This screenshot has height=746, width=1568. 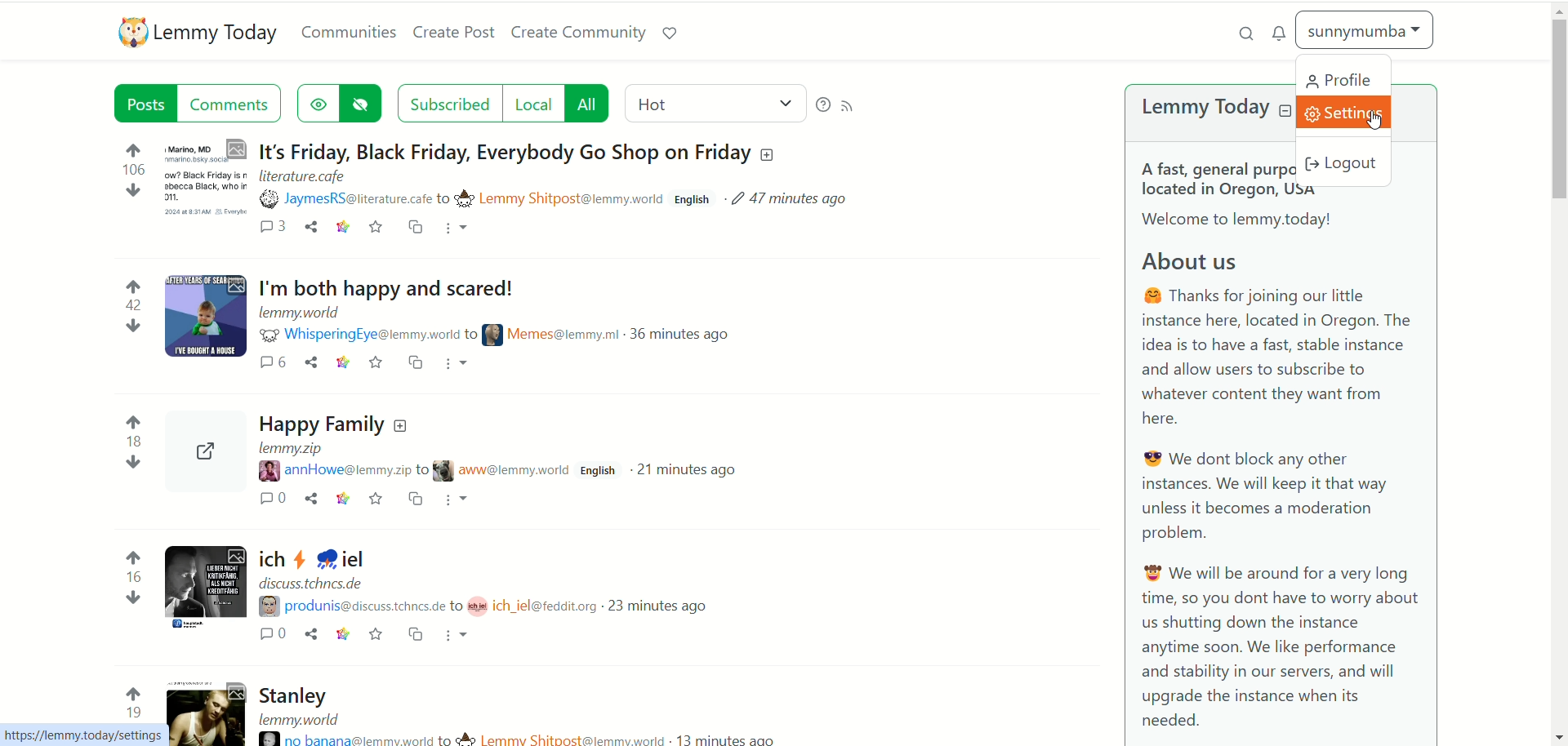 I want to click on local, so click(x=532, y=104).